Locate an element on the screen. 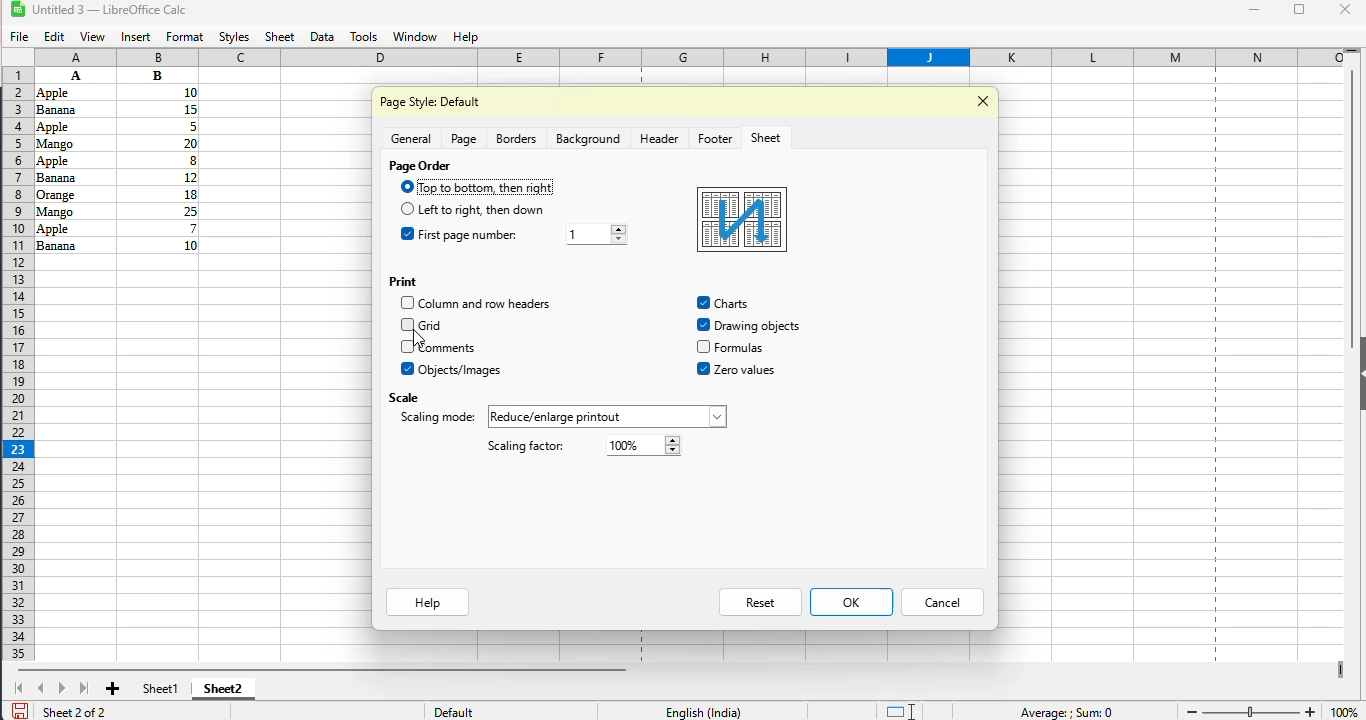 The height and width of the screenshot is (720, 1366). scroll to next sheet is located at coordinates (62, 688).